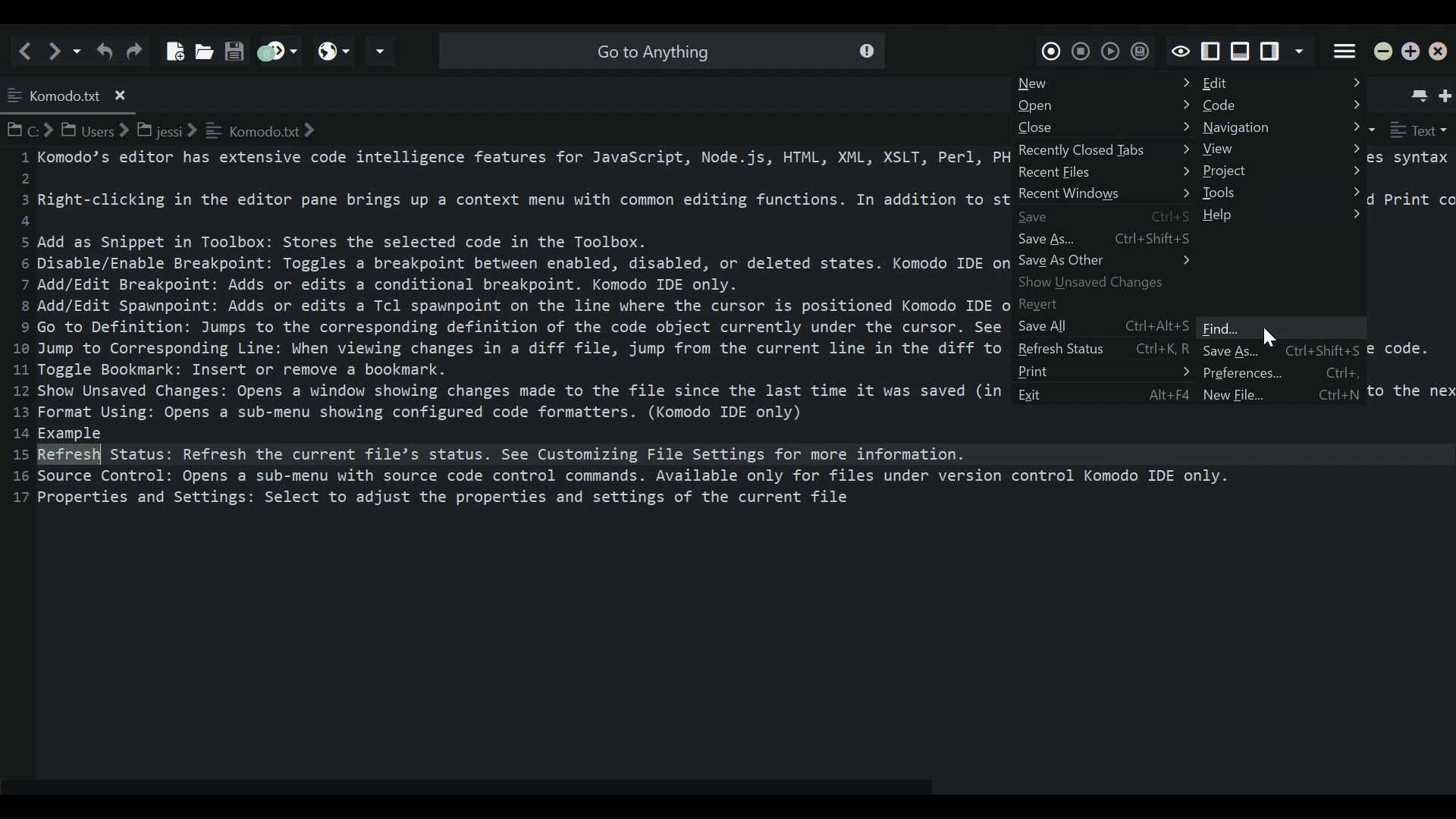 This screenshot has width=1456, height=819. I want to click on Recent Files, so click(1103, 173).